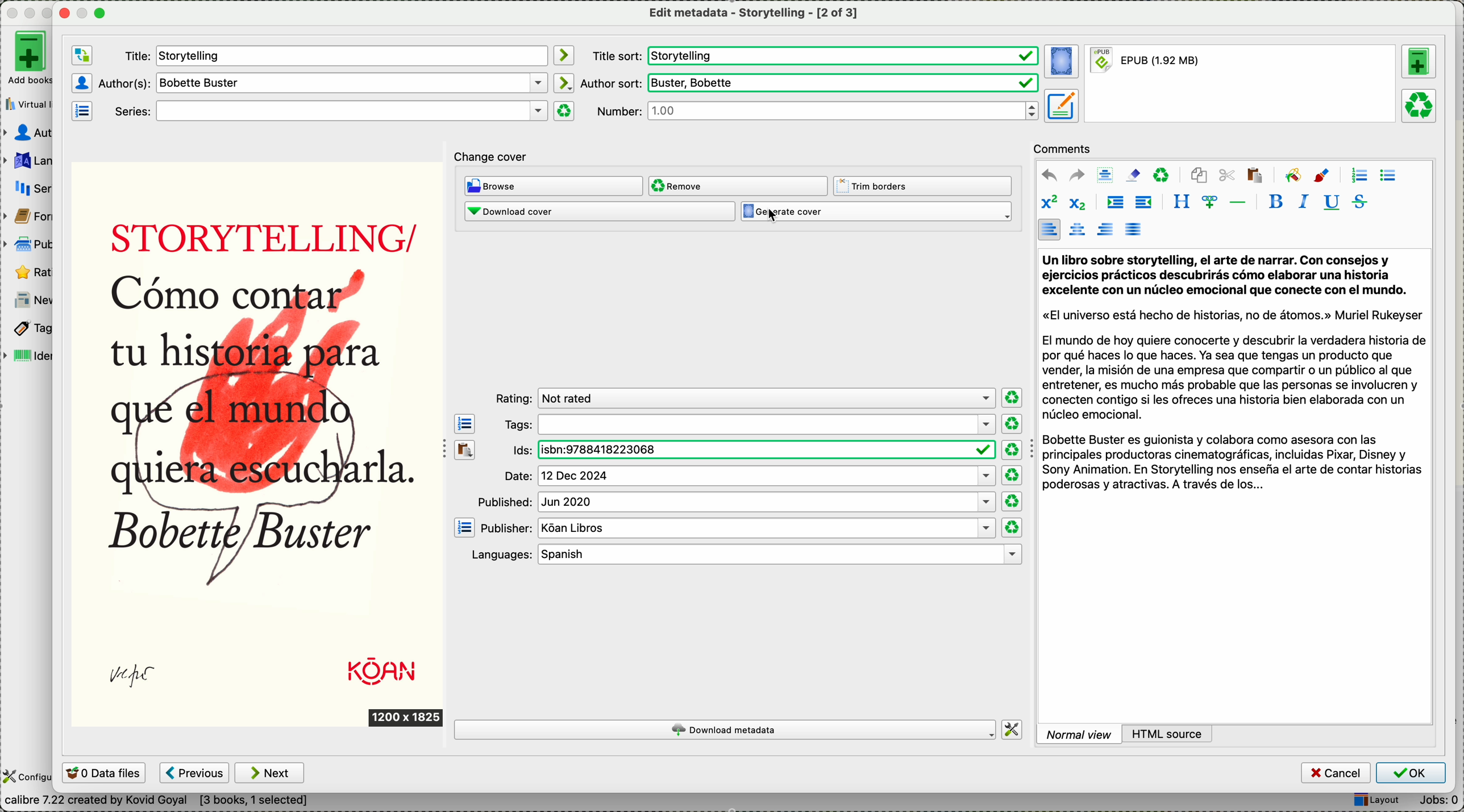 This screenshot has width=1464, height=812. Describe the element at coordinates (1078, 204) in the screenshot. I see `subscript` at that location.